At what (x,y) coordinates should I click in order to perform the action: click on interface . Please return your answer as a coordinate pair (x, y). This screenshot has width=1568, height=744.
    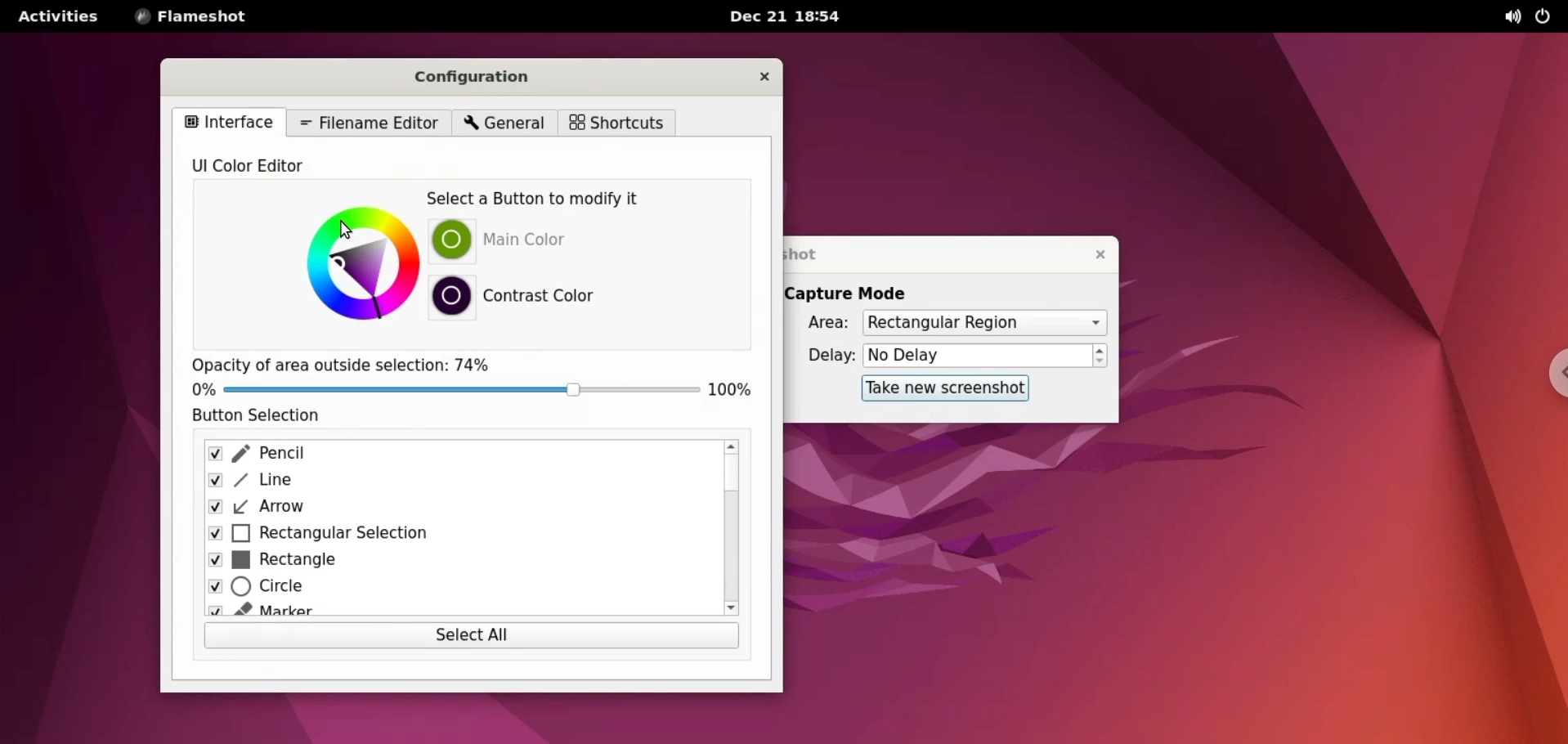
    Looking at the image, I should click on (232, 123).